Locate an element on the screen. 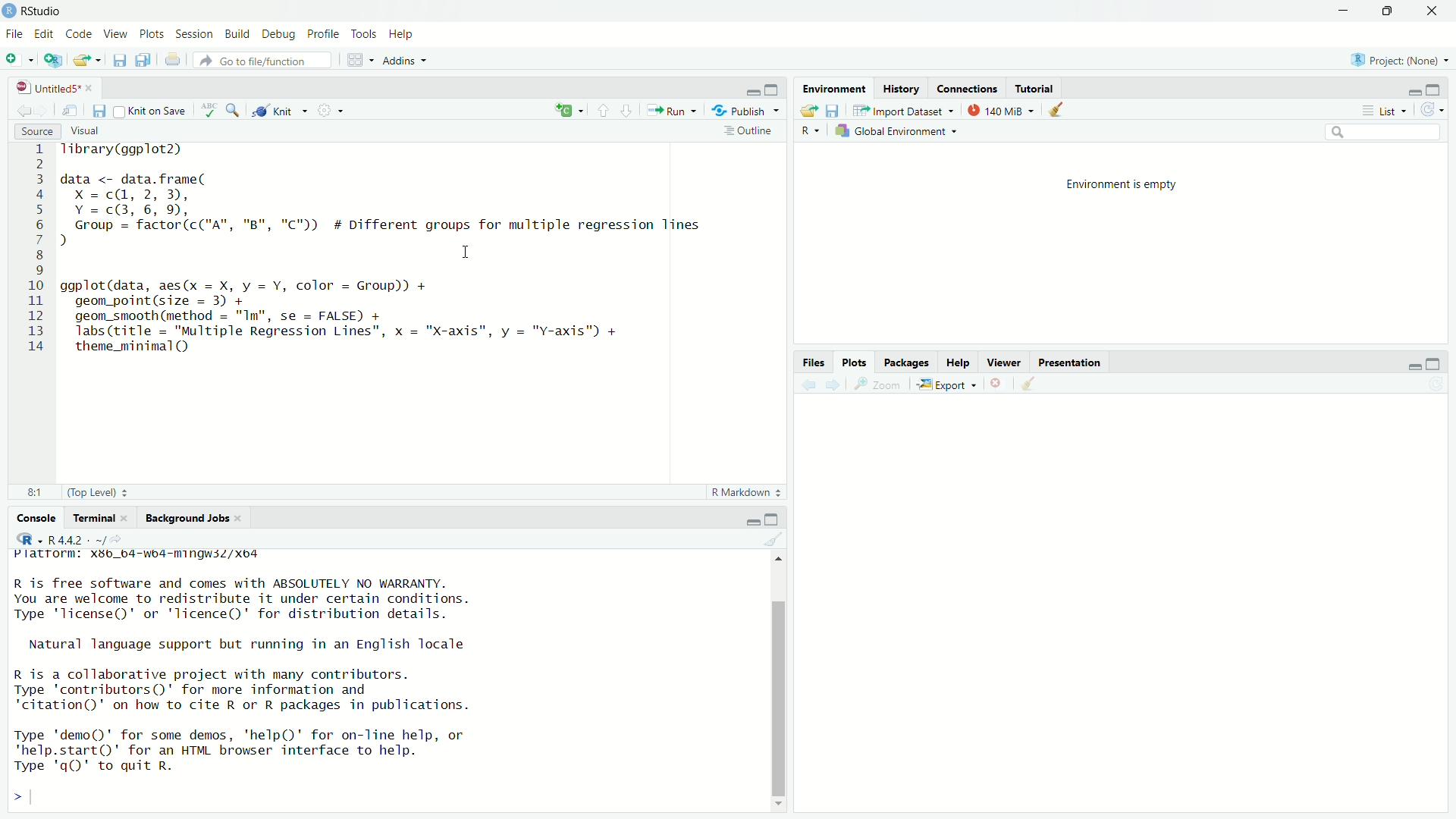 The image size is (1456, 819). Viewer is located at coordinates (1003, 362).